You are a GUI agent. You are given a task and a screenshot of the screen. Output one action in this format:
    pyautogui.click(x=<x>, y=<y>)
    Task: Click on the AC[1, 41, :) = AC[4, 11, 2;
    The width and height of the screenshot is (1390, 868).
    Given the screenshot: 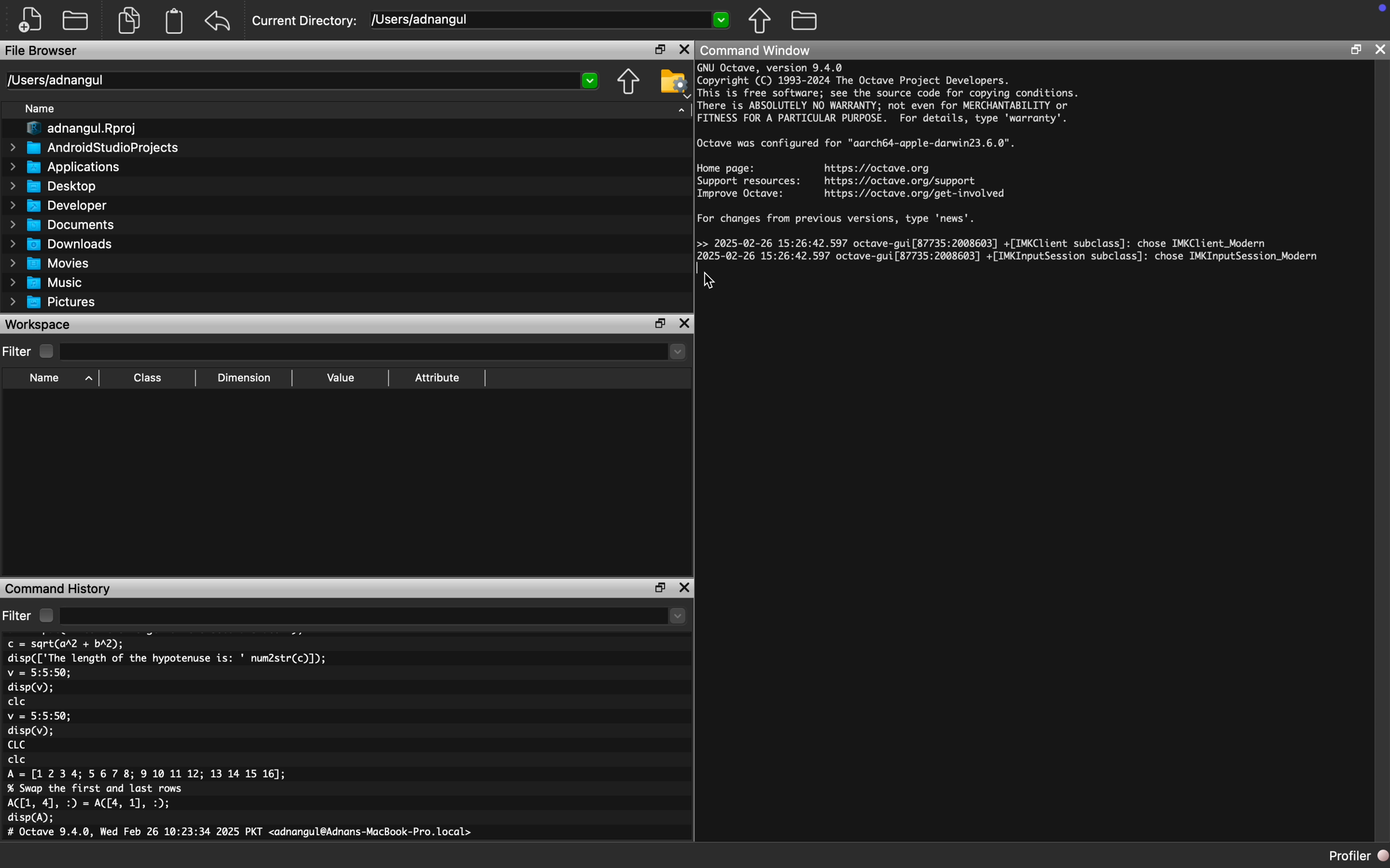 What is the action you would take?
    pyautogui.click(x=91, y=804)
    